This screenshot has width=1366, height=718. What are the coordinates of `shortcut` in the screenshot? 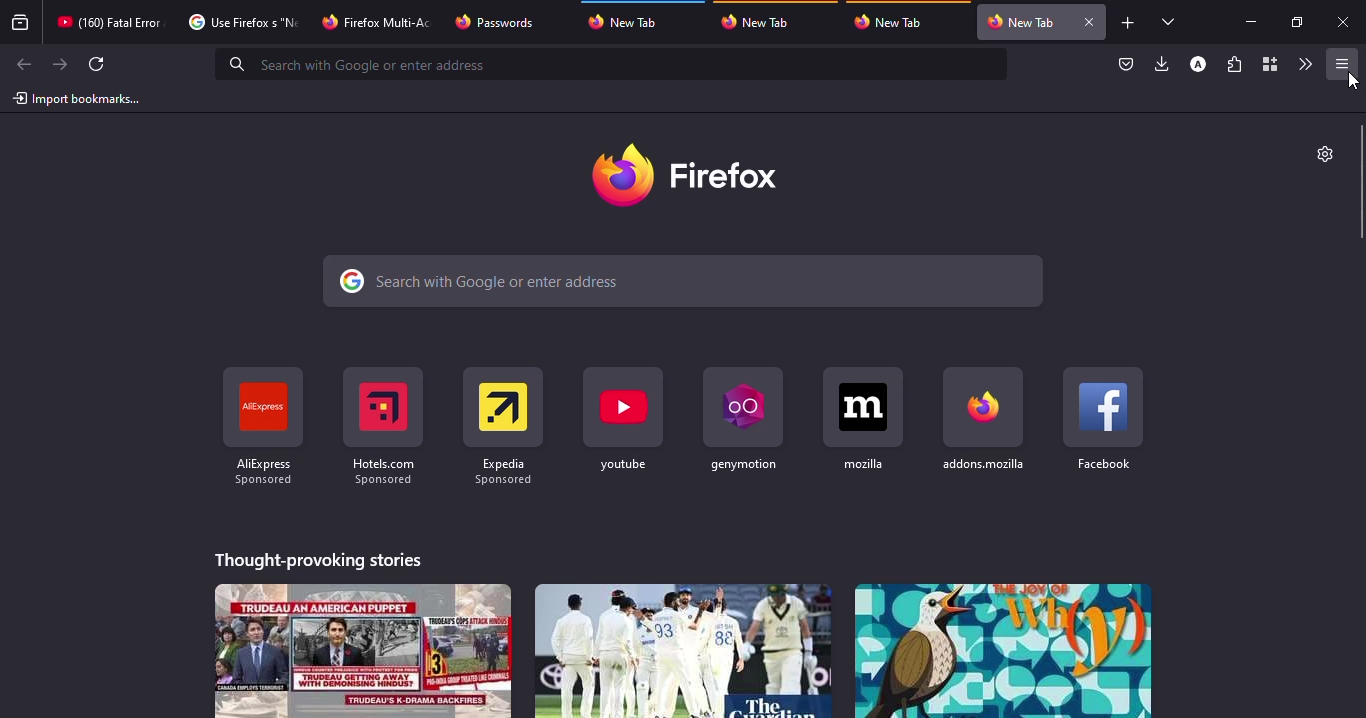 It's located at (863, 418).